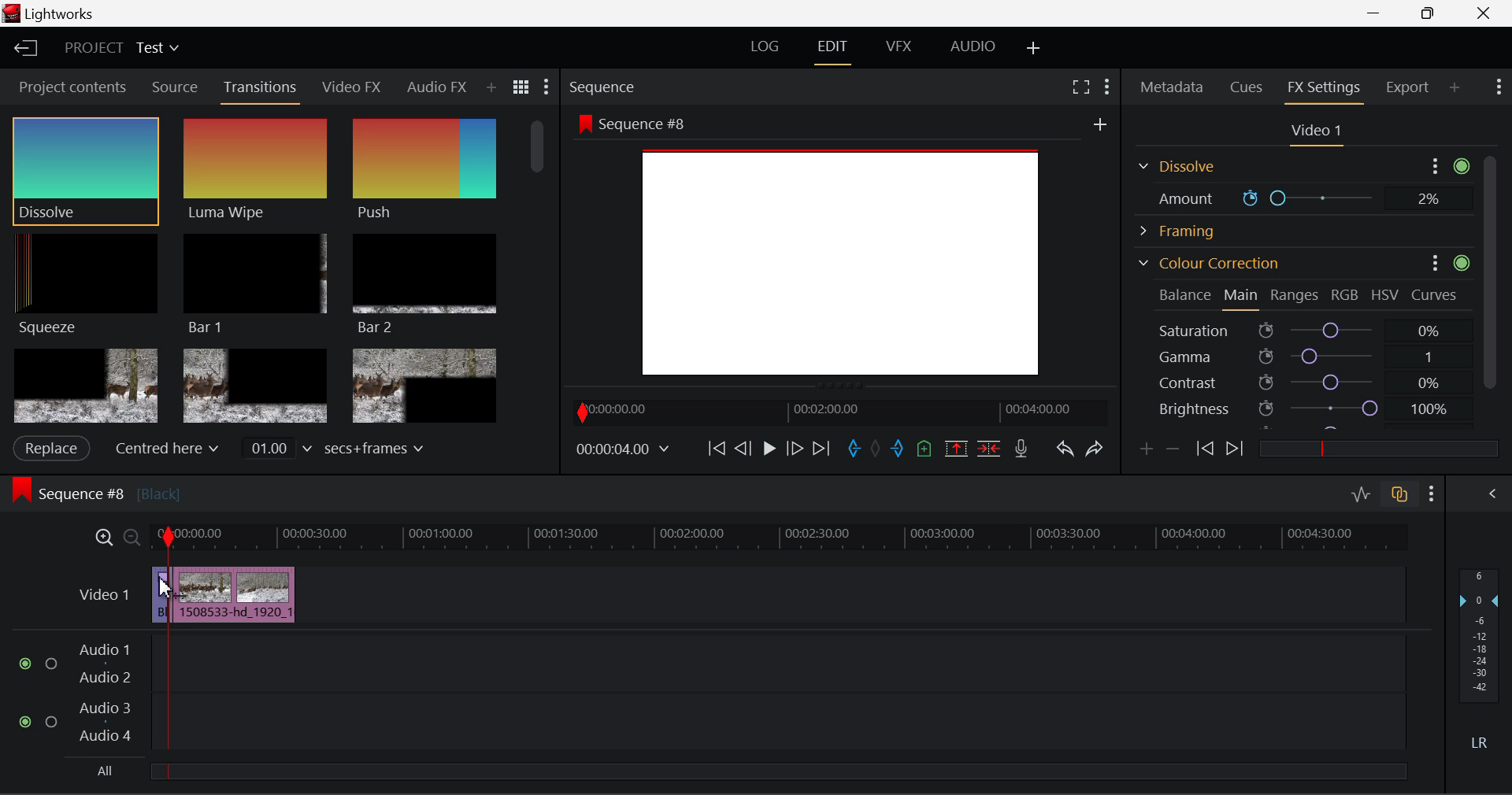 The image size is (1512, 795). What do you see at coordinates (795, 448) in the screenshot?
I see `Go Forward` at bounding box center [795, 448].